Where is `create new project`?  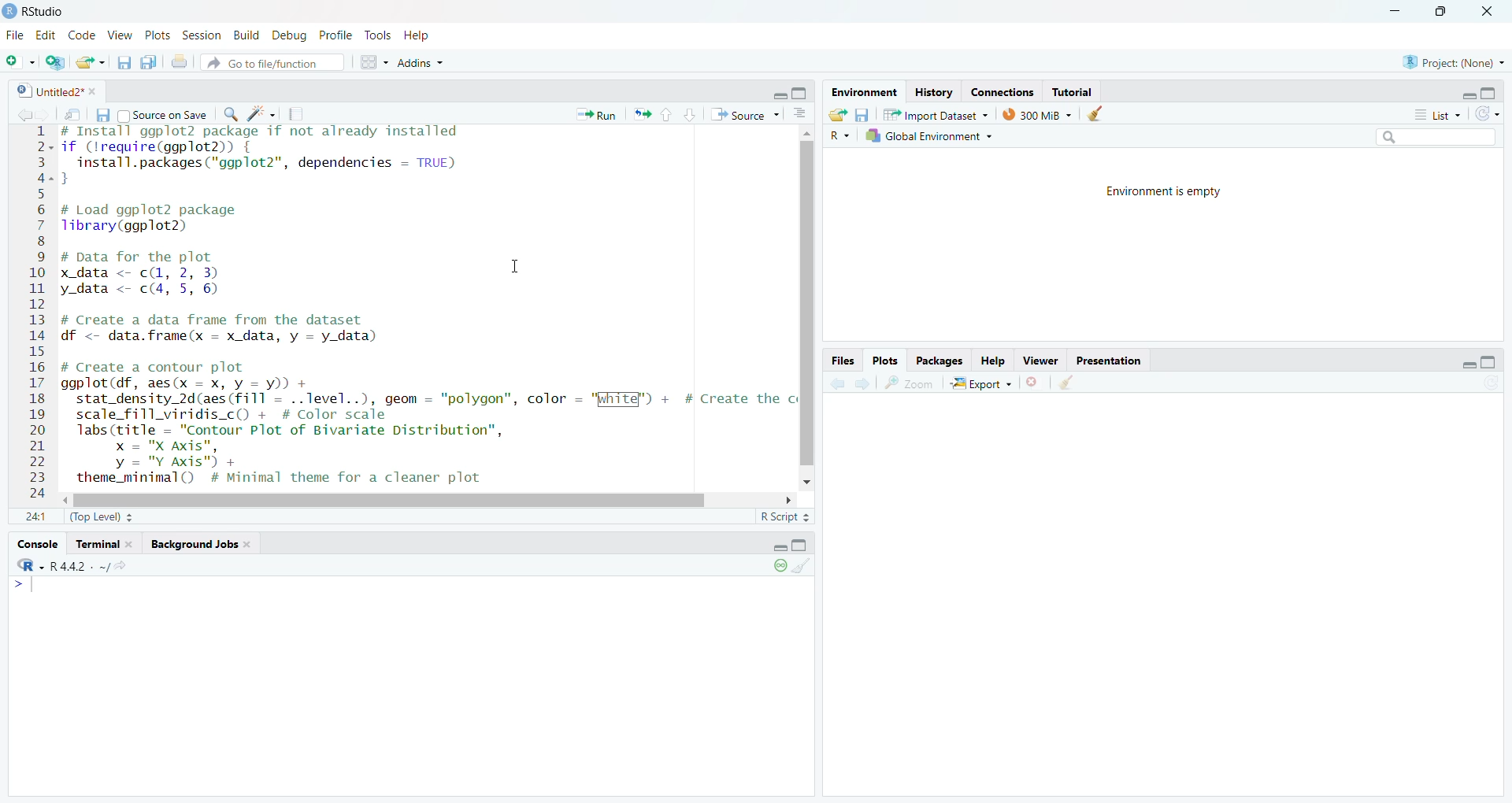 create new project is located at coordinates (53, 61).